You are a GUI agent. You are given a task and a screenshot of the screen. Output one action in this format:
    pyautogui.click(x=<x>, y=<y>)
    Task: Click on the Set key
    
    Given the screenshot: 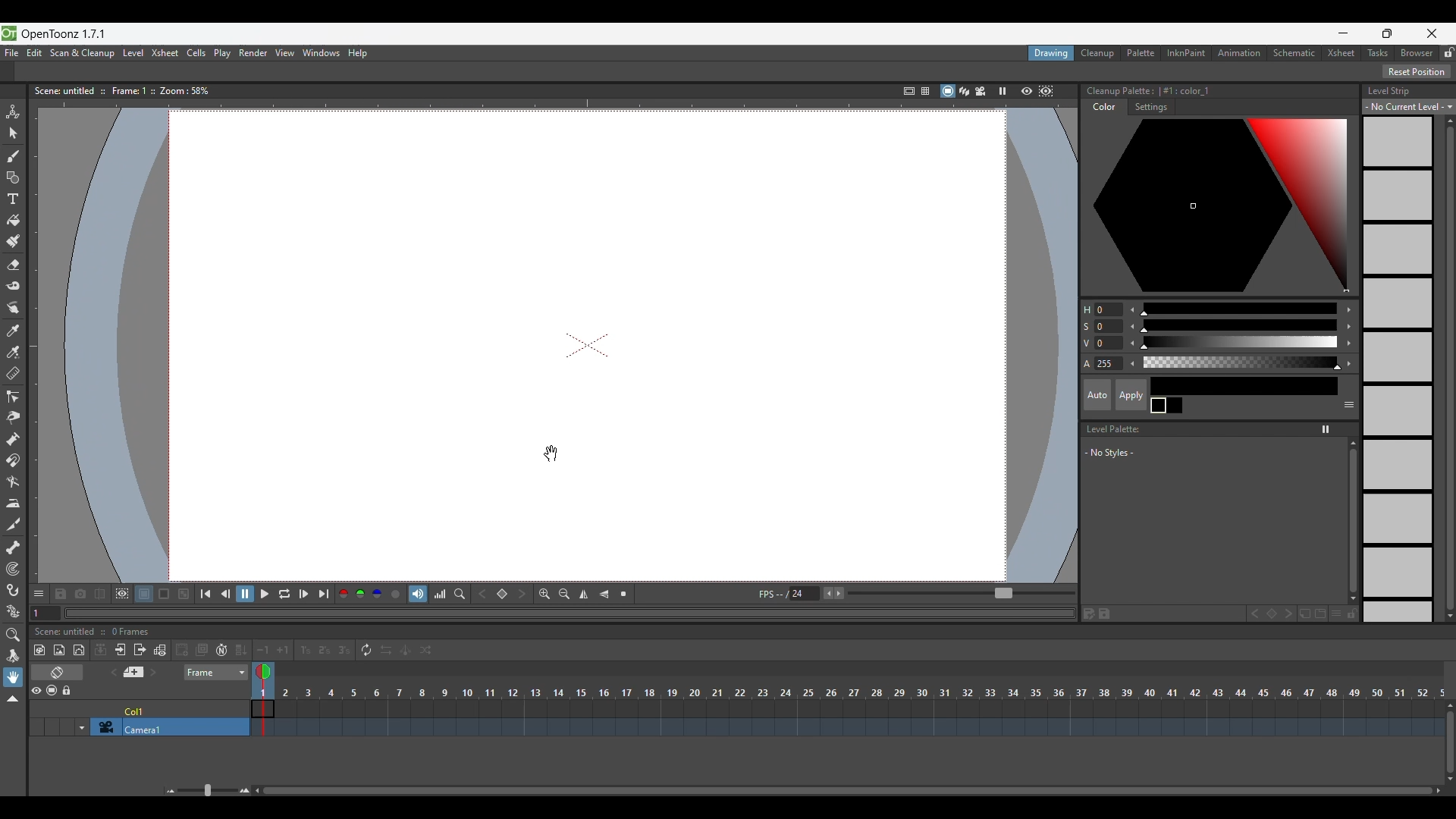 What is the action you would take?
    pyautogui.click(x=1268, y=613)
    